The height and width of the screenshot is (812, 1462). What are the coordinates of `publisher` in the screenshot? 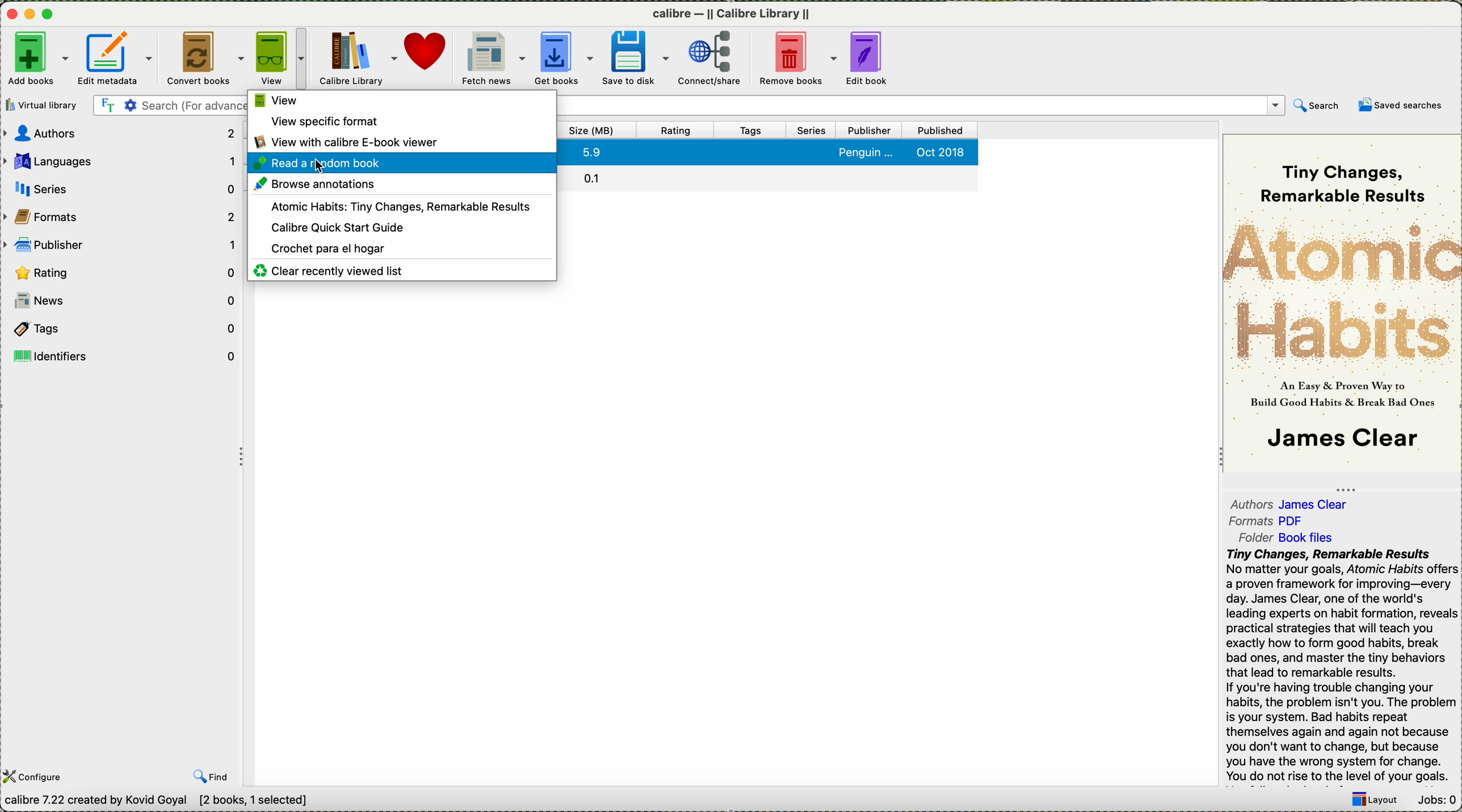 It's located at (121, 242).